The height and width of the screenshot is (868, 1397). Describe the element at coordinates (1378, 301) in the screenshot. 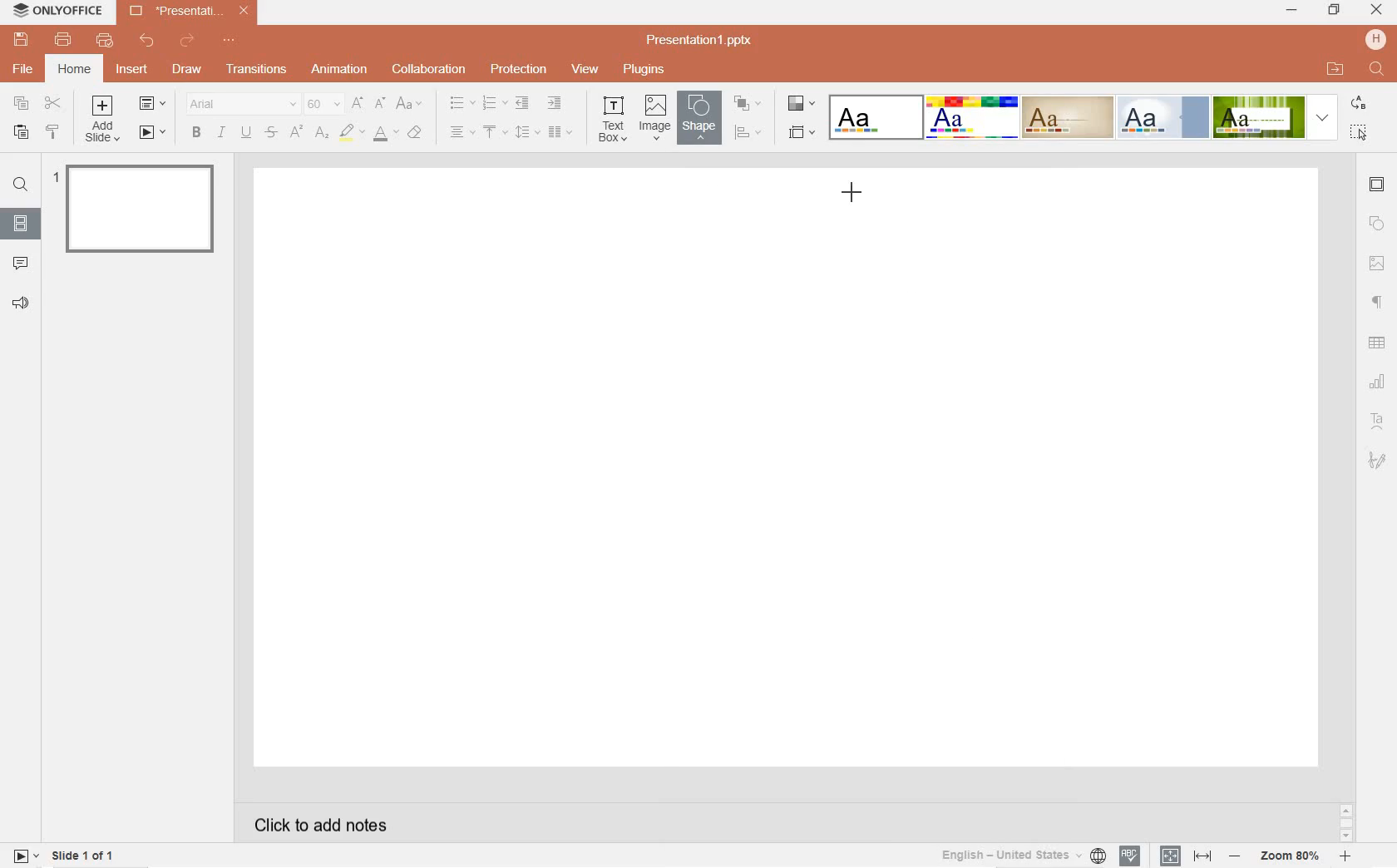

I see `paragraph settings` at that location.